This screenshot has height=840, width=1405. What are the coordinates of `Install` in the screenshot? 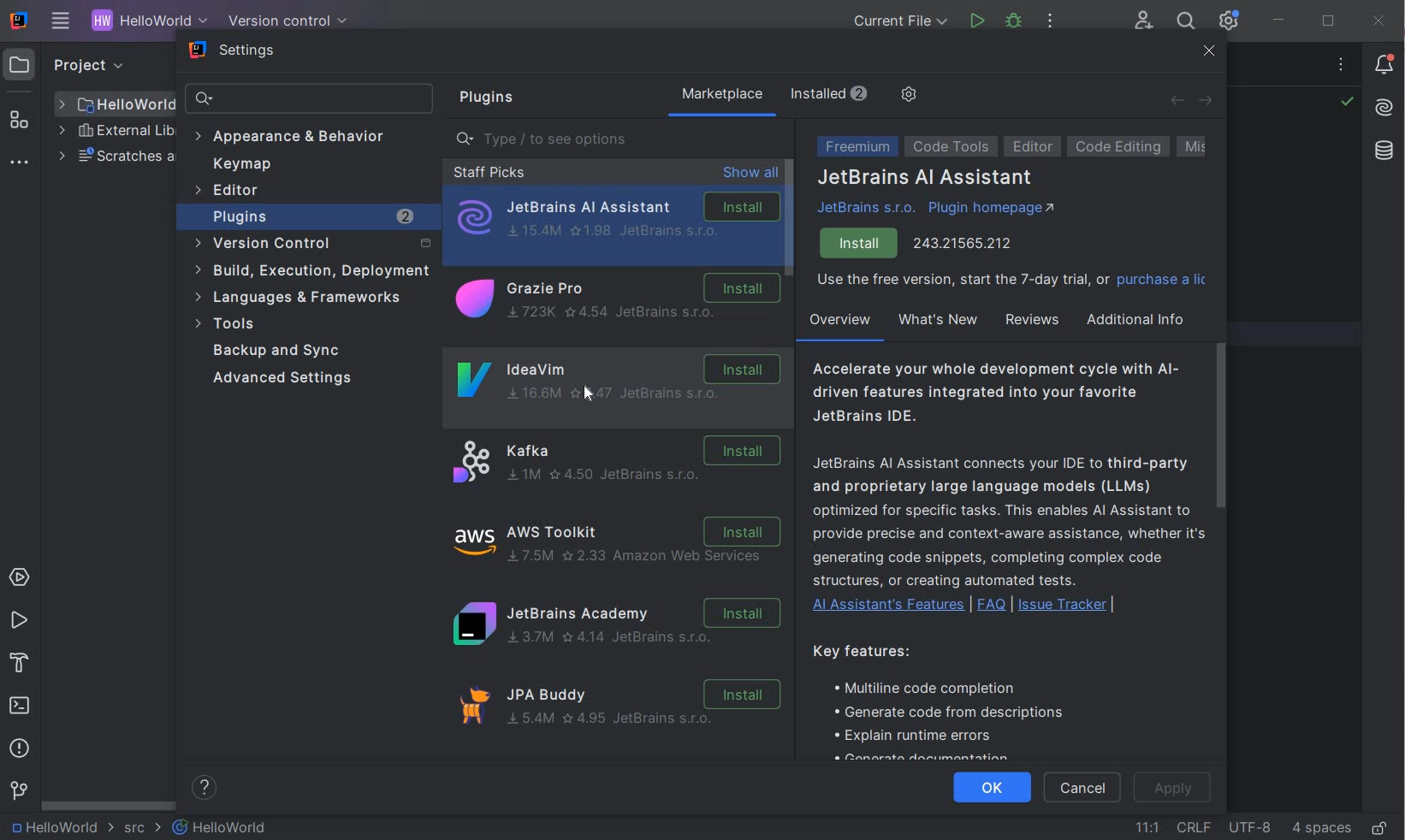 It's located at (860, 244).